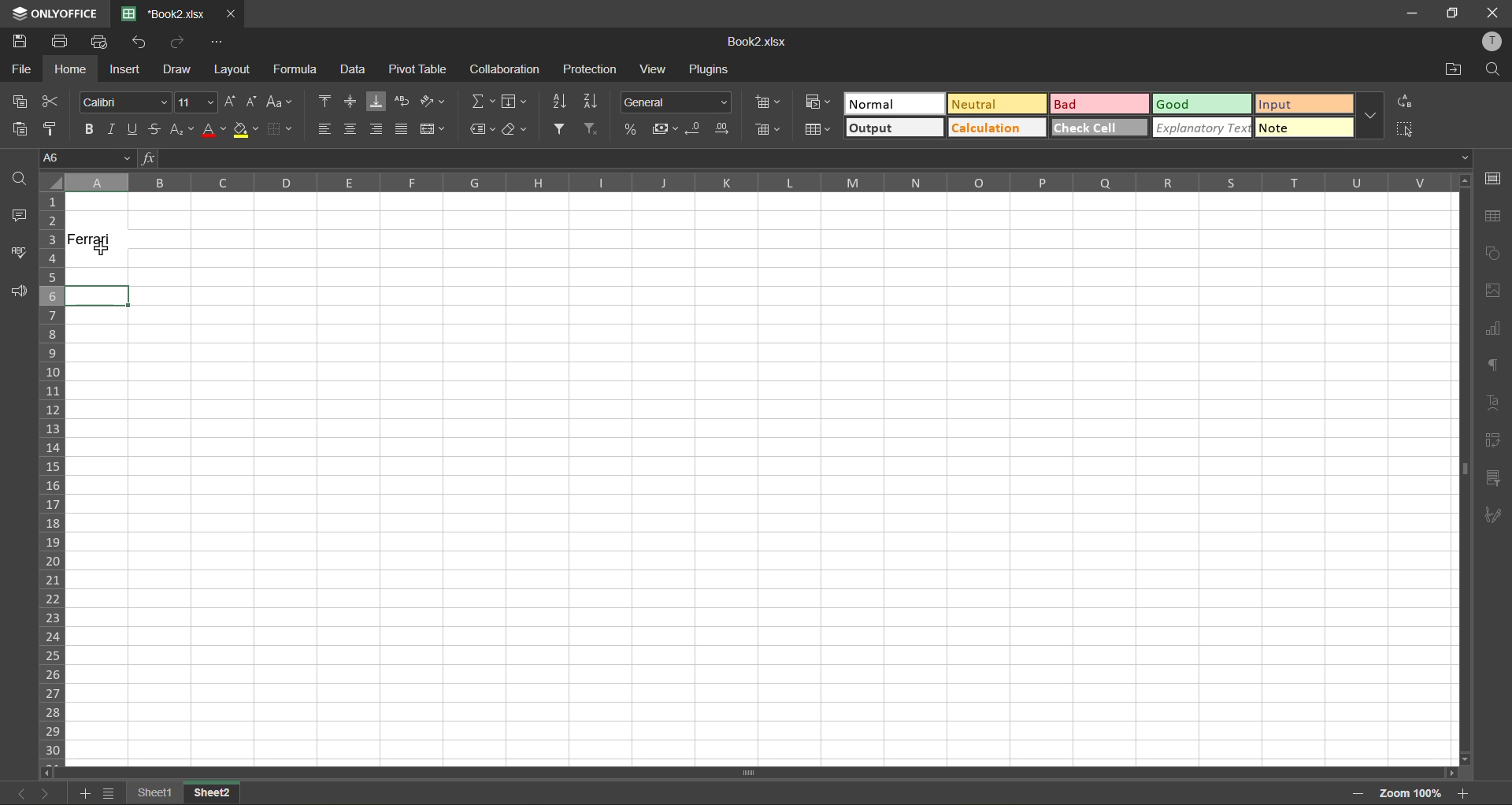 The height and width of the screenshot is (805, 1512). What do you see at coordinates (1490, 367) in the screenshot?
I see `paragraph` at bounding box center [1490, 367].